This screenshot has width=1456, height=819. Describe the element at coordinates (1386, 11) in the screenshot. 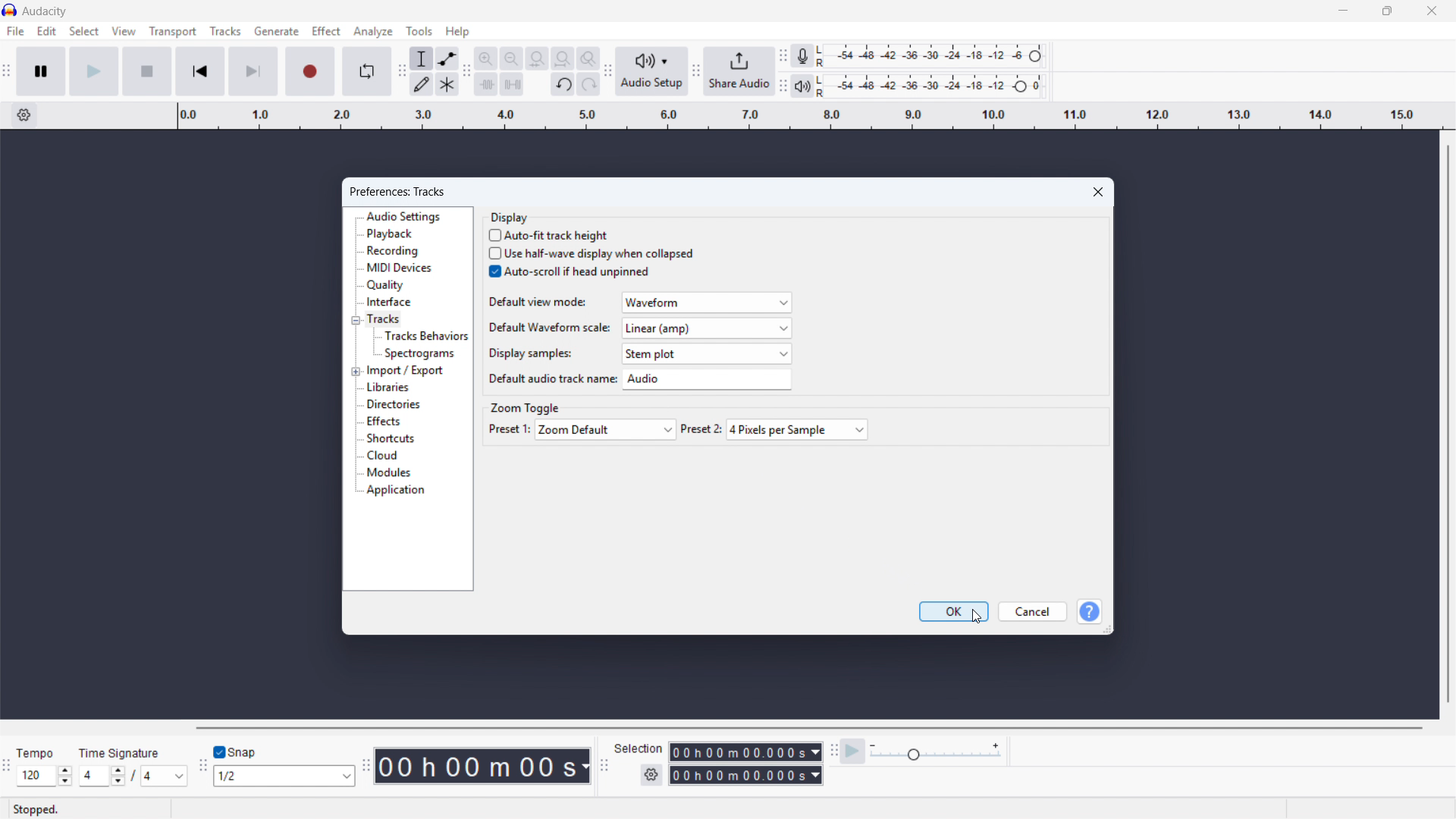

I see `maximize` at that location.